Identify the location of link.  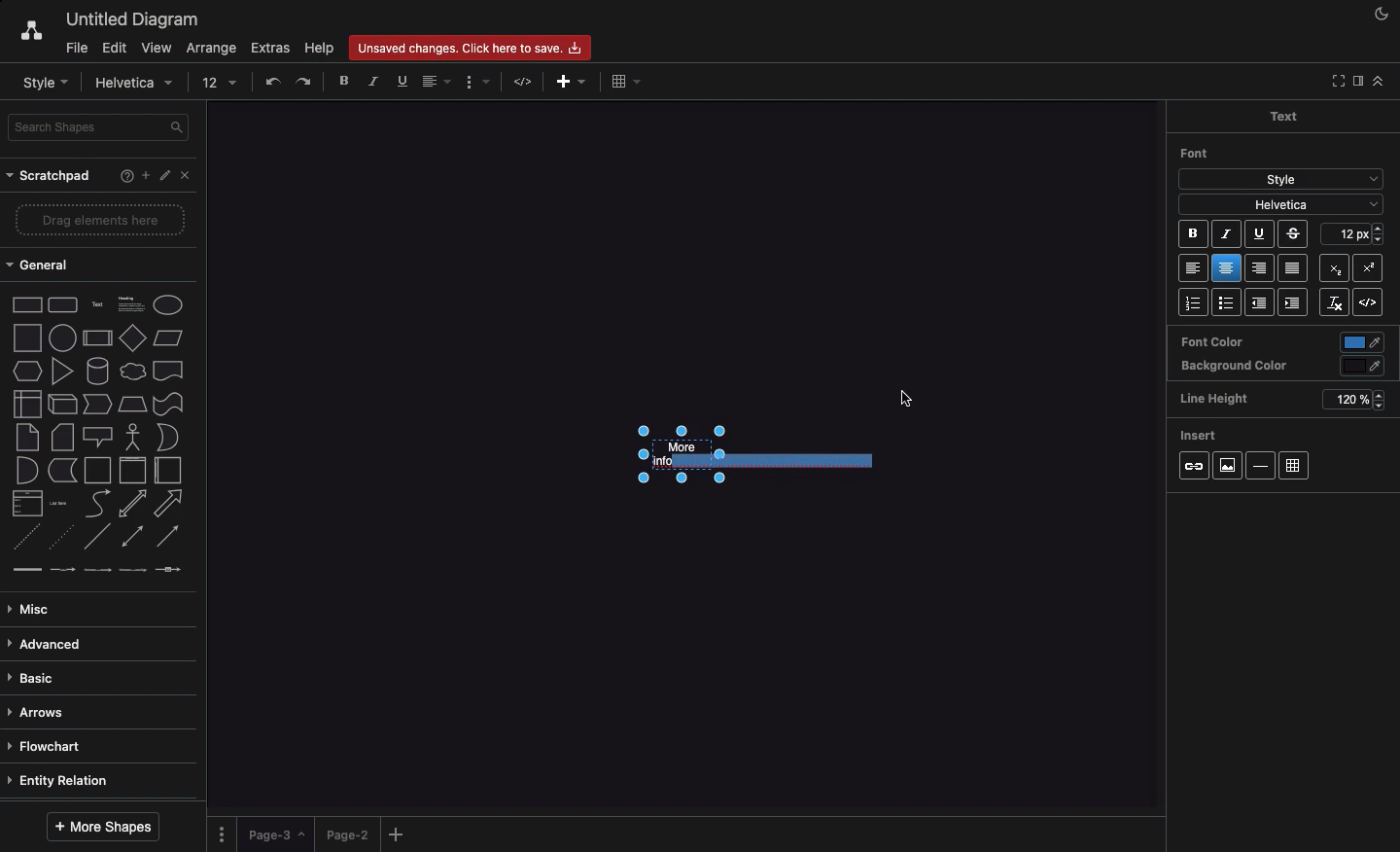
(26, 569).